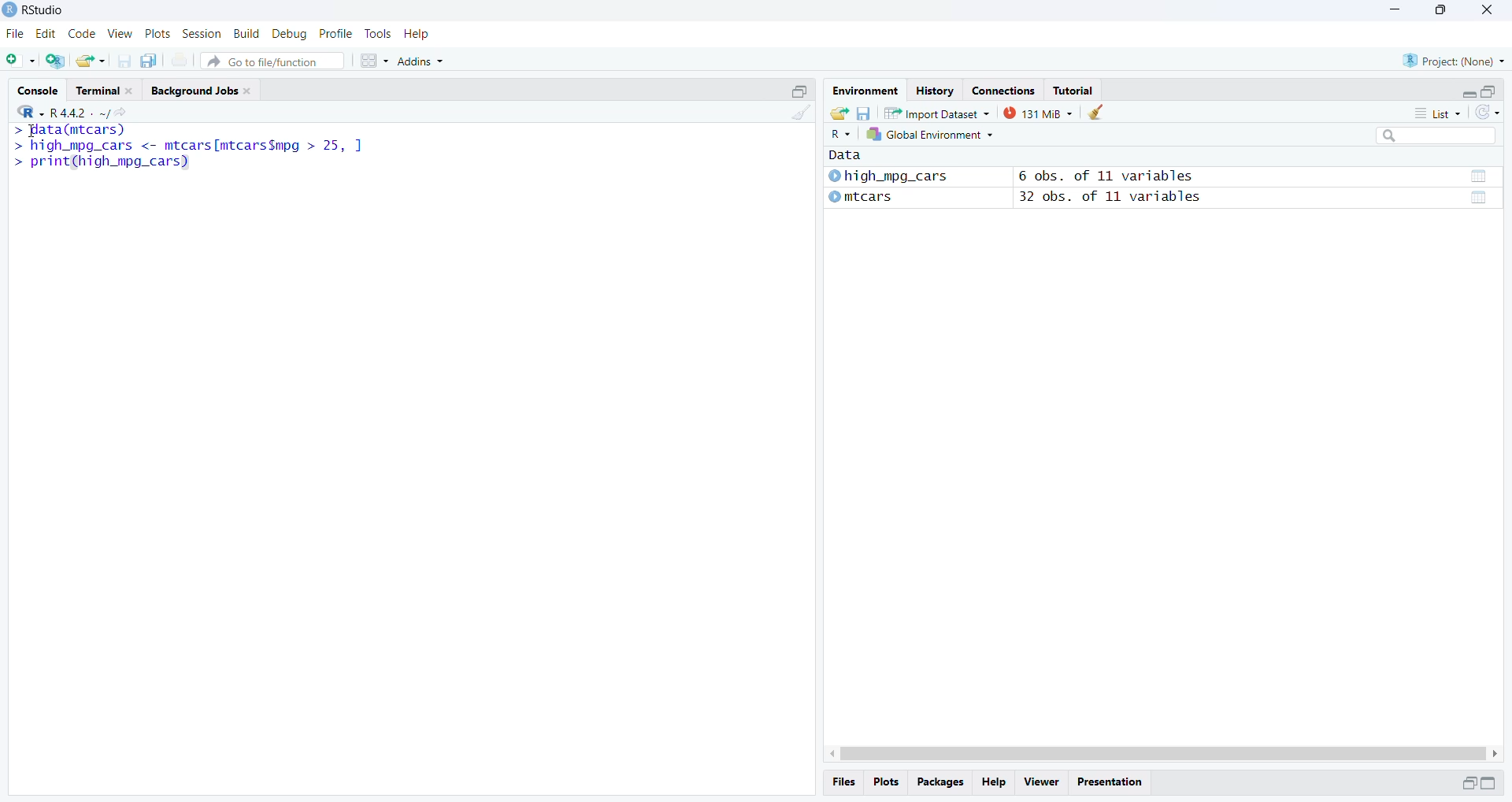 This screenshot has width=1512, height=802. Describe the element at coordinates (43, 9) in the screenshot. I see `RStudio` at that location.